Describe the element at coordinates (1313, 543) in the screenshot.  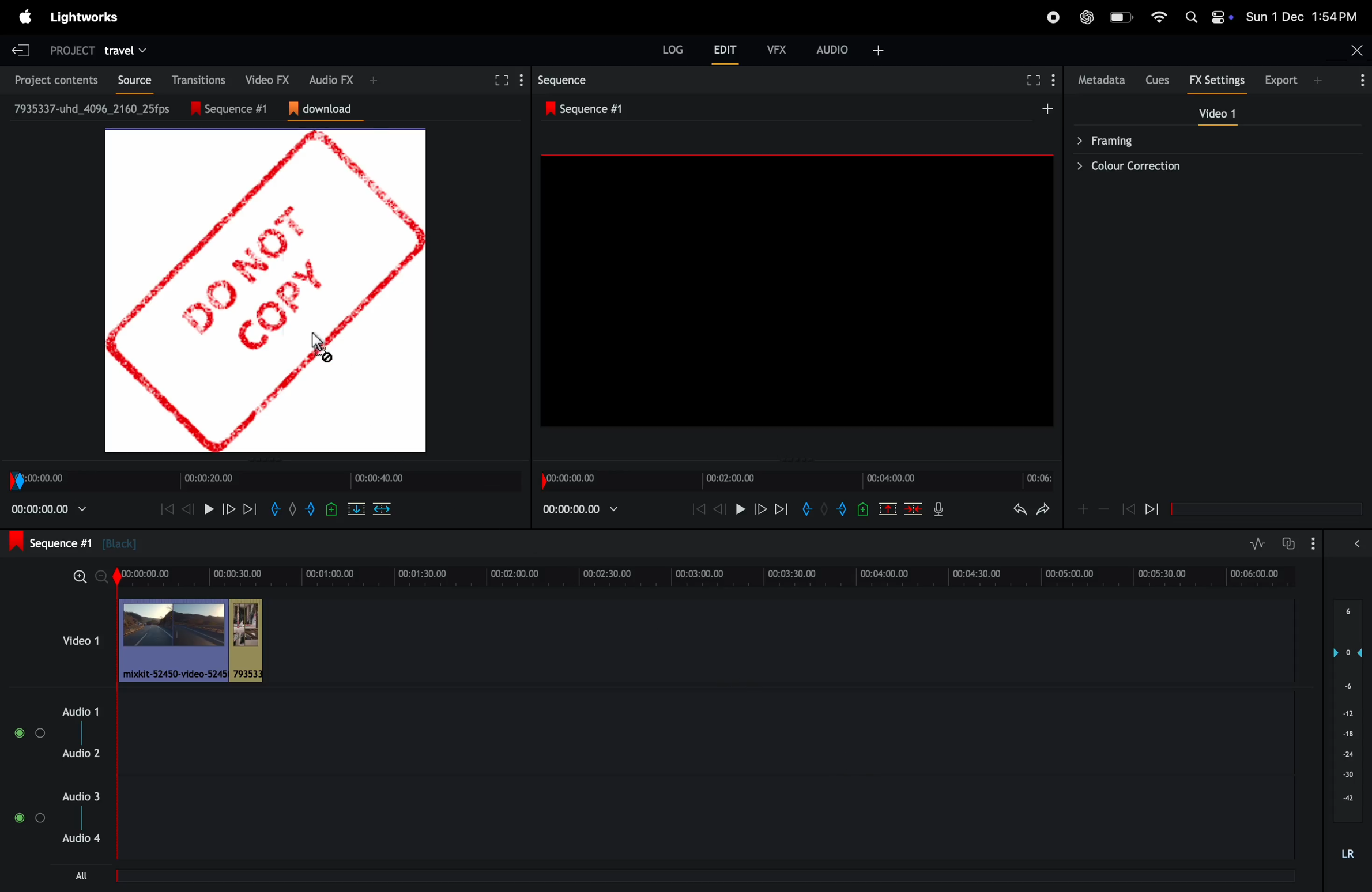
I see `options` at that location.